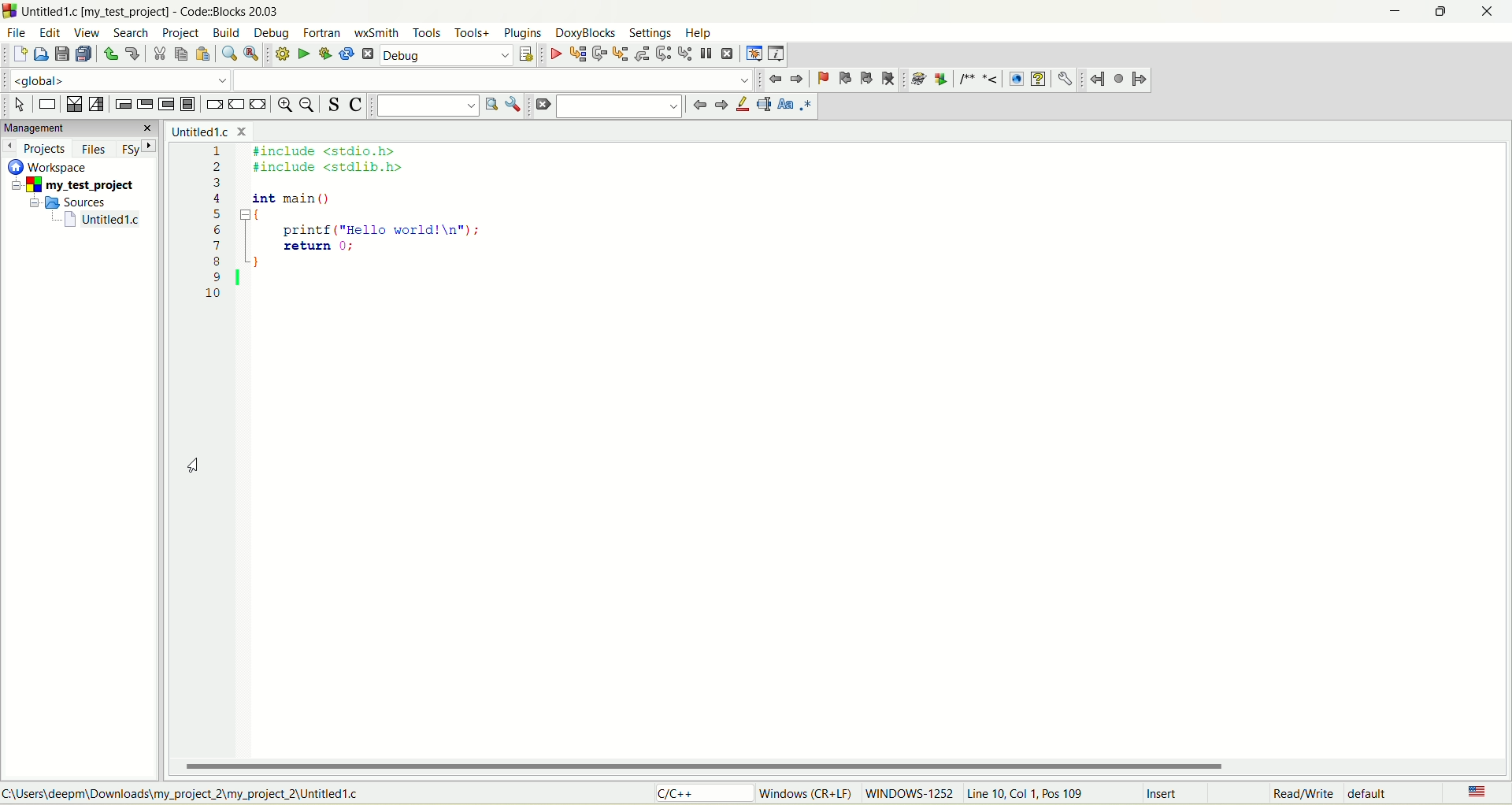 The height and width of the screenshot is (805, 1512). Describe the element at coordinates (754, 53) in the screenshot. I see `debugging` at that location.